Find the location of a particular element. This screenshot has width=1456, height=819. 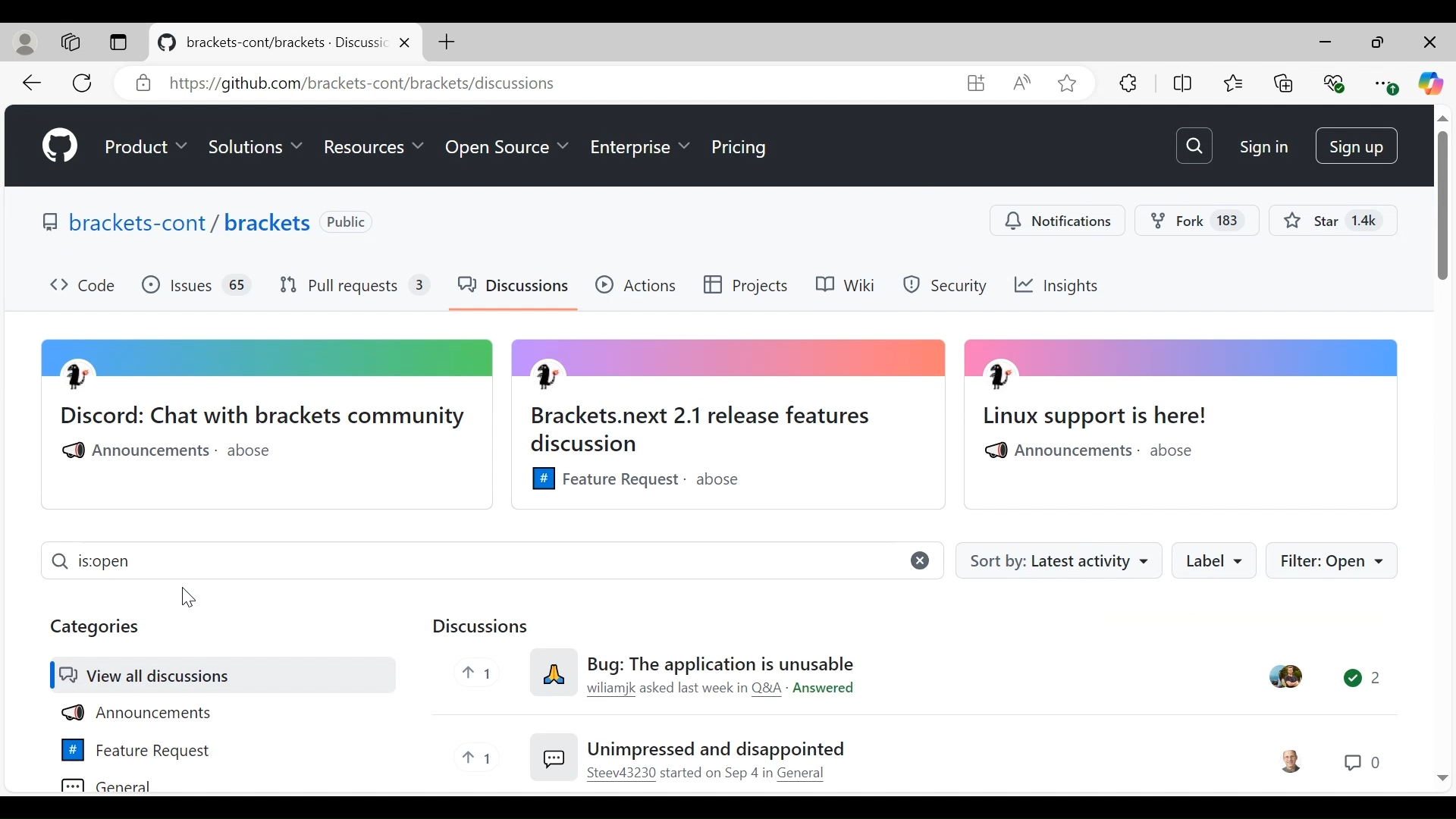

Sign in is located at coordinates (1261, 146).